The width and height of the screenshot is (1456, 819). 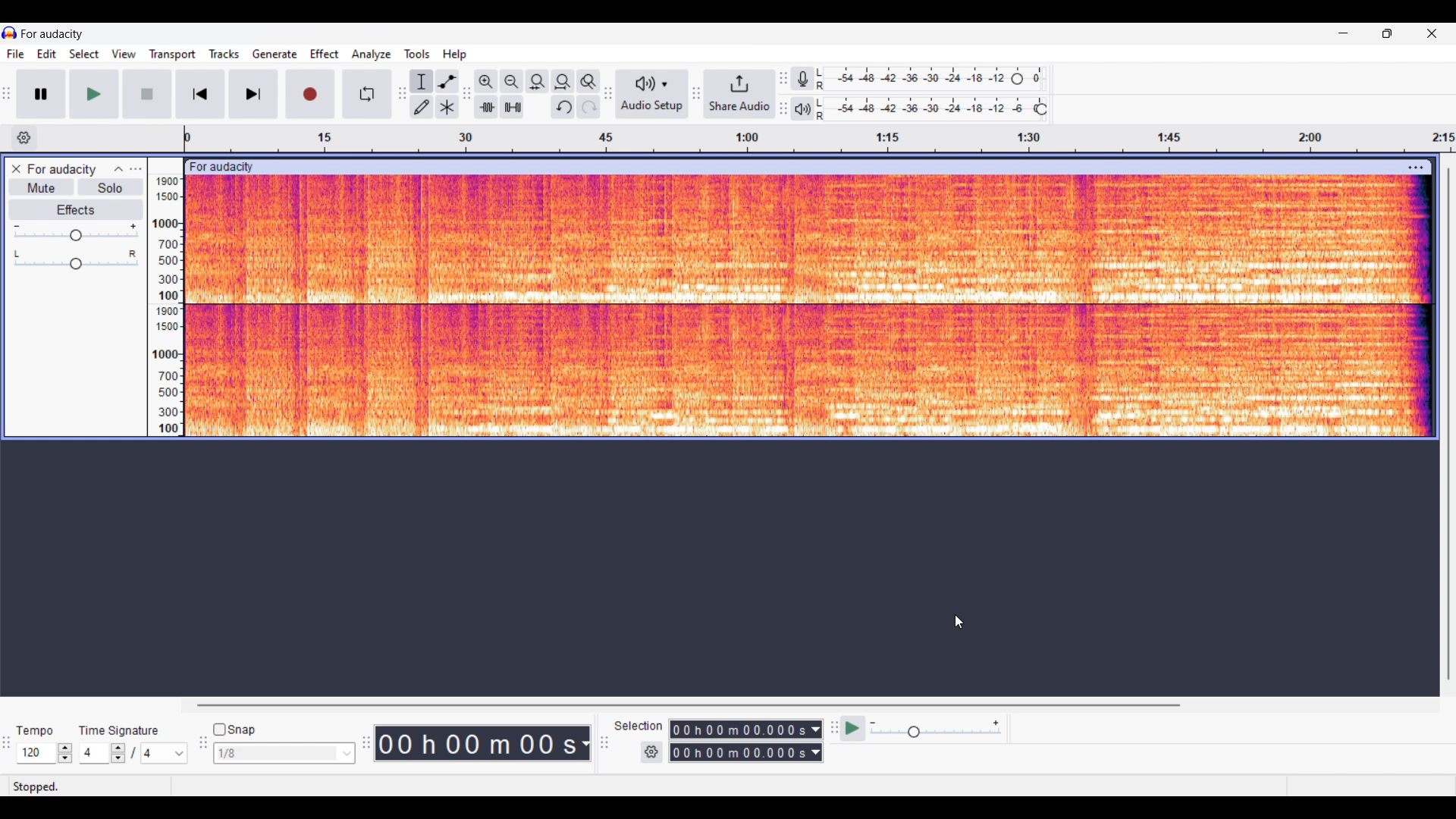 What do you see at coordinates (930, 79) in the screenshot?
I see `Recording level` at bounding box center [930, 79].